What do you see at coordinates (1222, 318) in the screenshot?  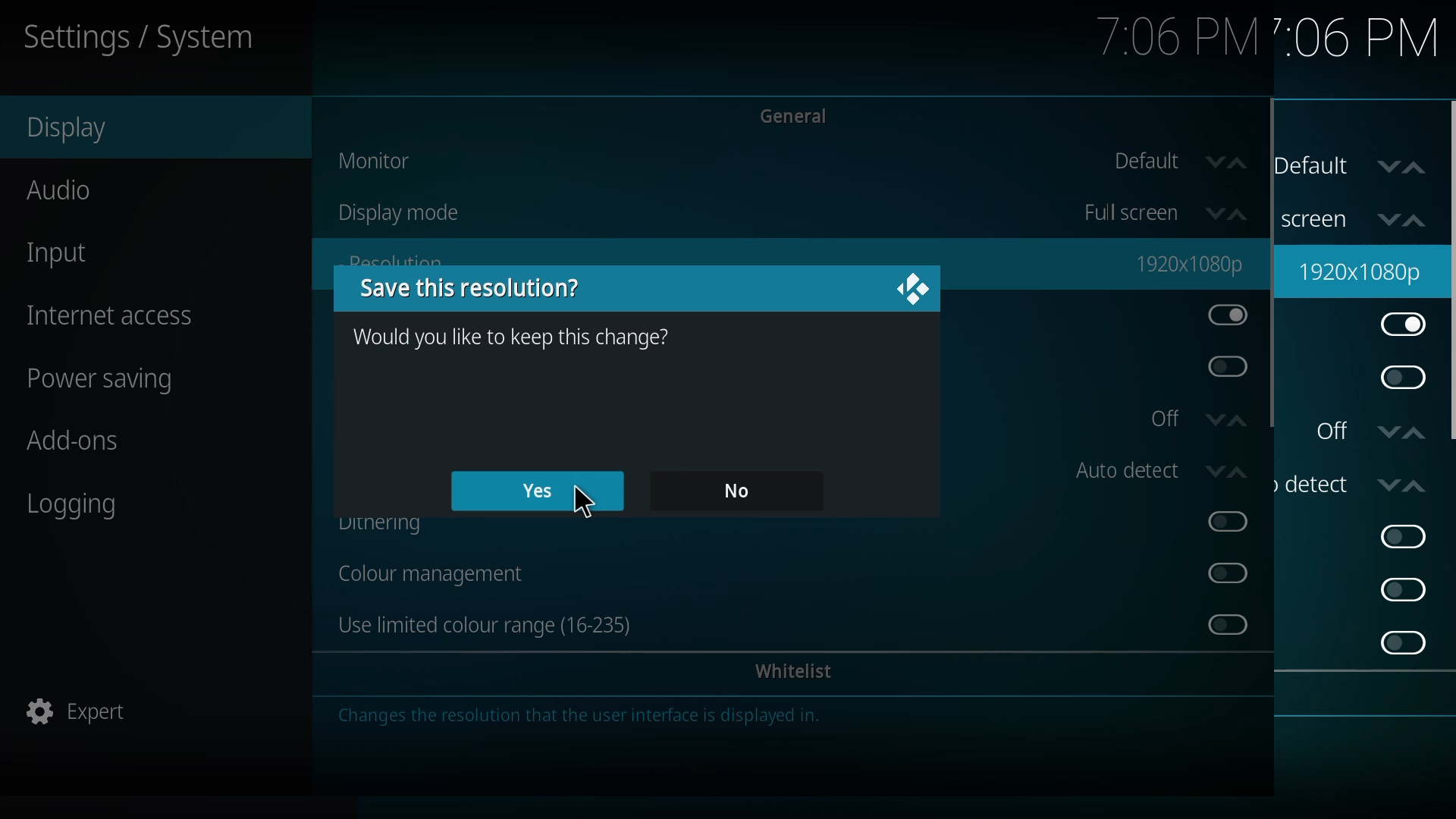 I see `enabled` at bounding box center [1222, 318].